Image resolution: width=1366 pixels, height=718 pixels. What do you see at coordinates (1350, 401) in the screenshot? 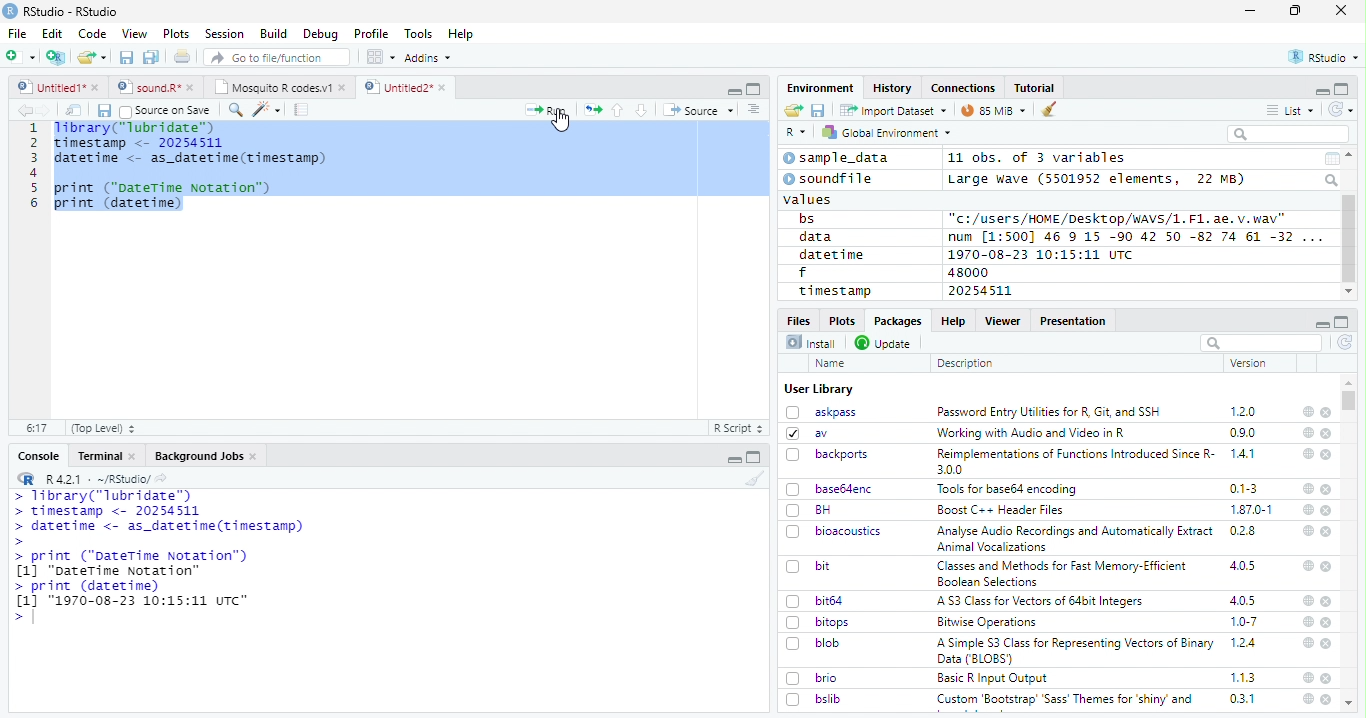
I see `scroll bar` at bounding box center [1350, 401].